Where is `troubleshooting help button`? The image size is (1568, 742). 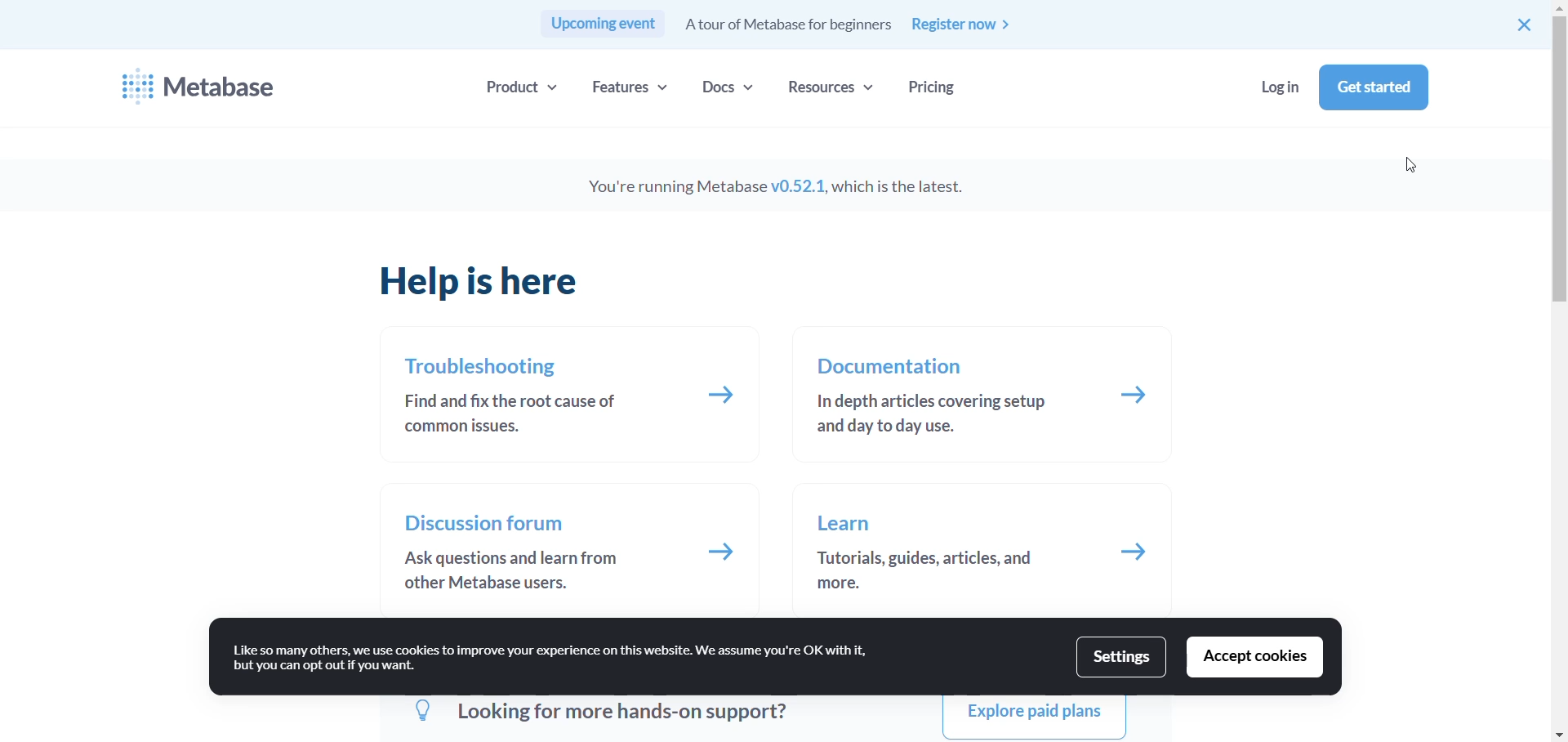 troubleshooting help button is located at coordinates (724, 398).